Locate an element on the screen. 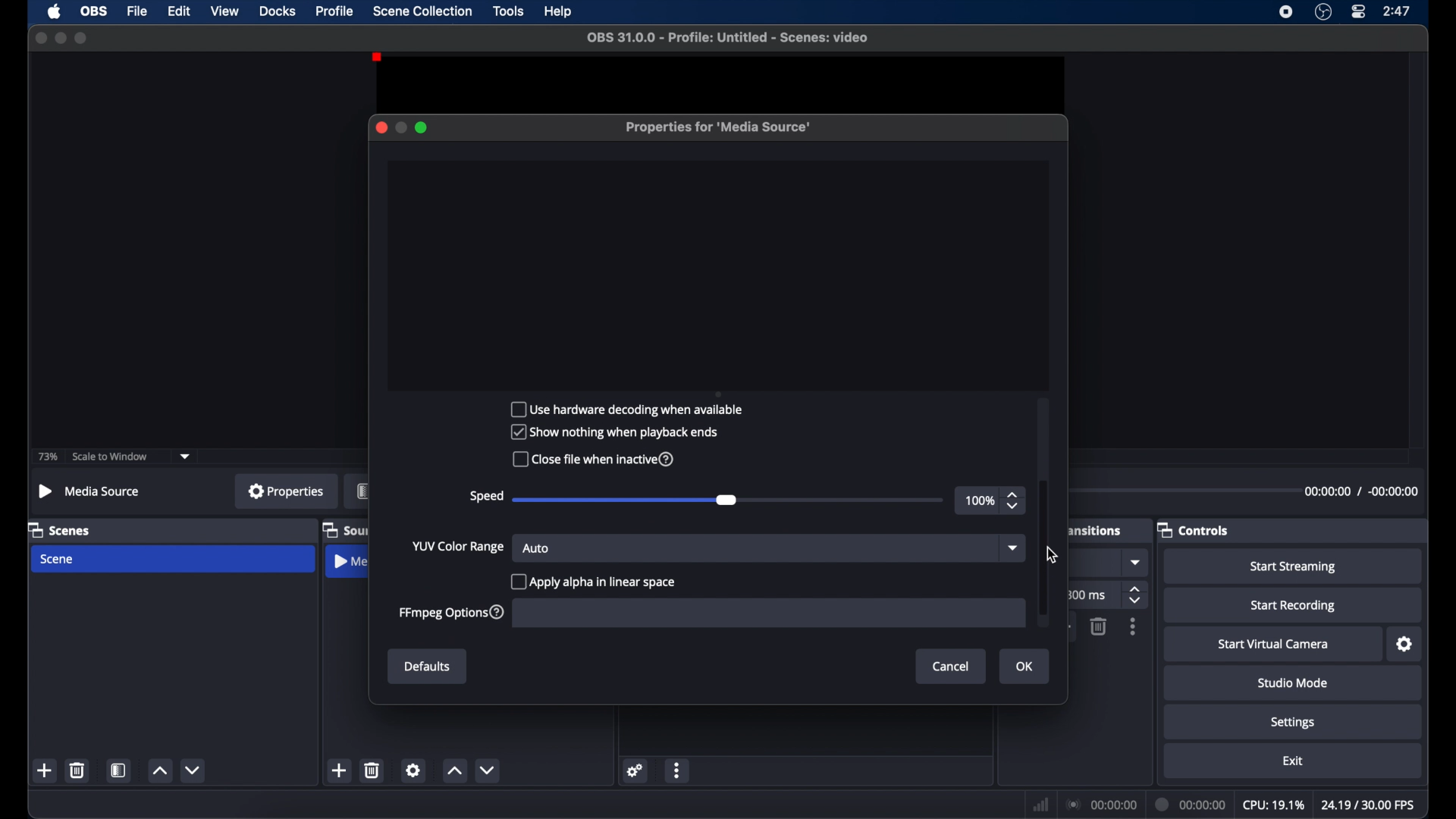  auto is located at coordinates (536, 548).